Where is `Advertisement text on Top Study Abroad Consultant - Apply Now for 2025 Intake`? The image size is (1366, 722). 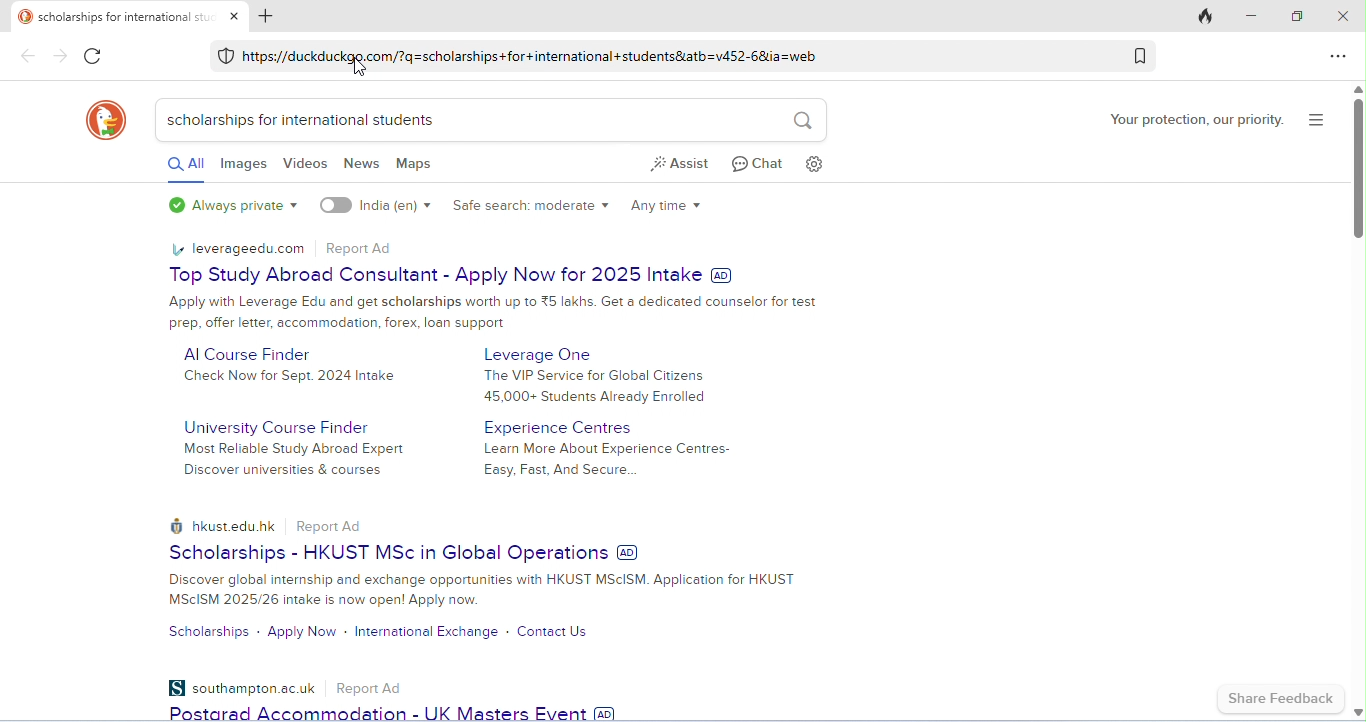
Advertisement text on Top Study Abroad Consultant - Apply Now for 2025 Intake is located at coordinates (496, 317).